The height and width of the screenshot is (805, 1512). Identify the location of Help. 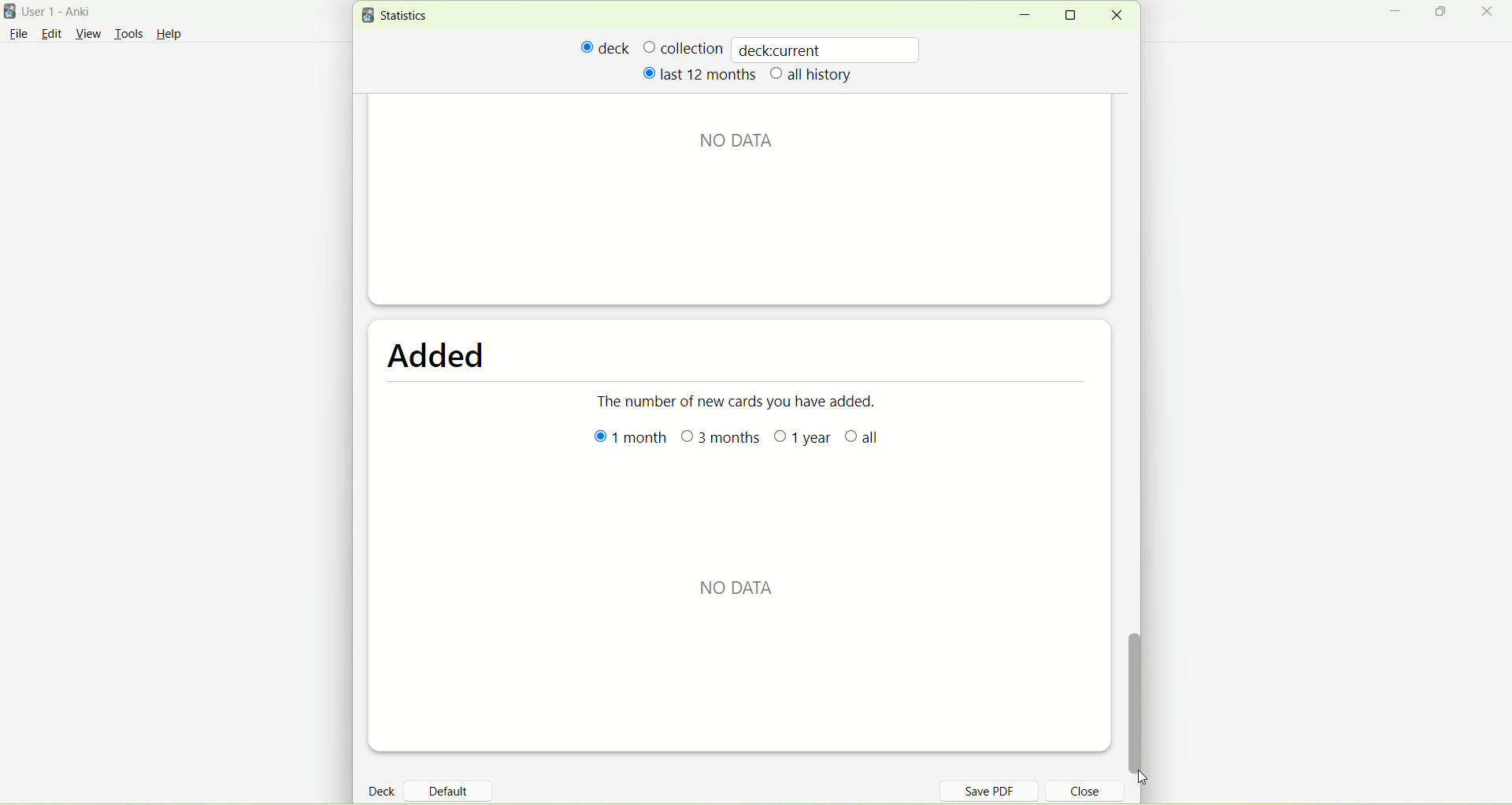
(169, 36).